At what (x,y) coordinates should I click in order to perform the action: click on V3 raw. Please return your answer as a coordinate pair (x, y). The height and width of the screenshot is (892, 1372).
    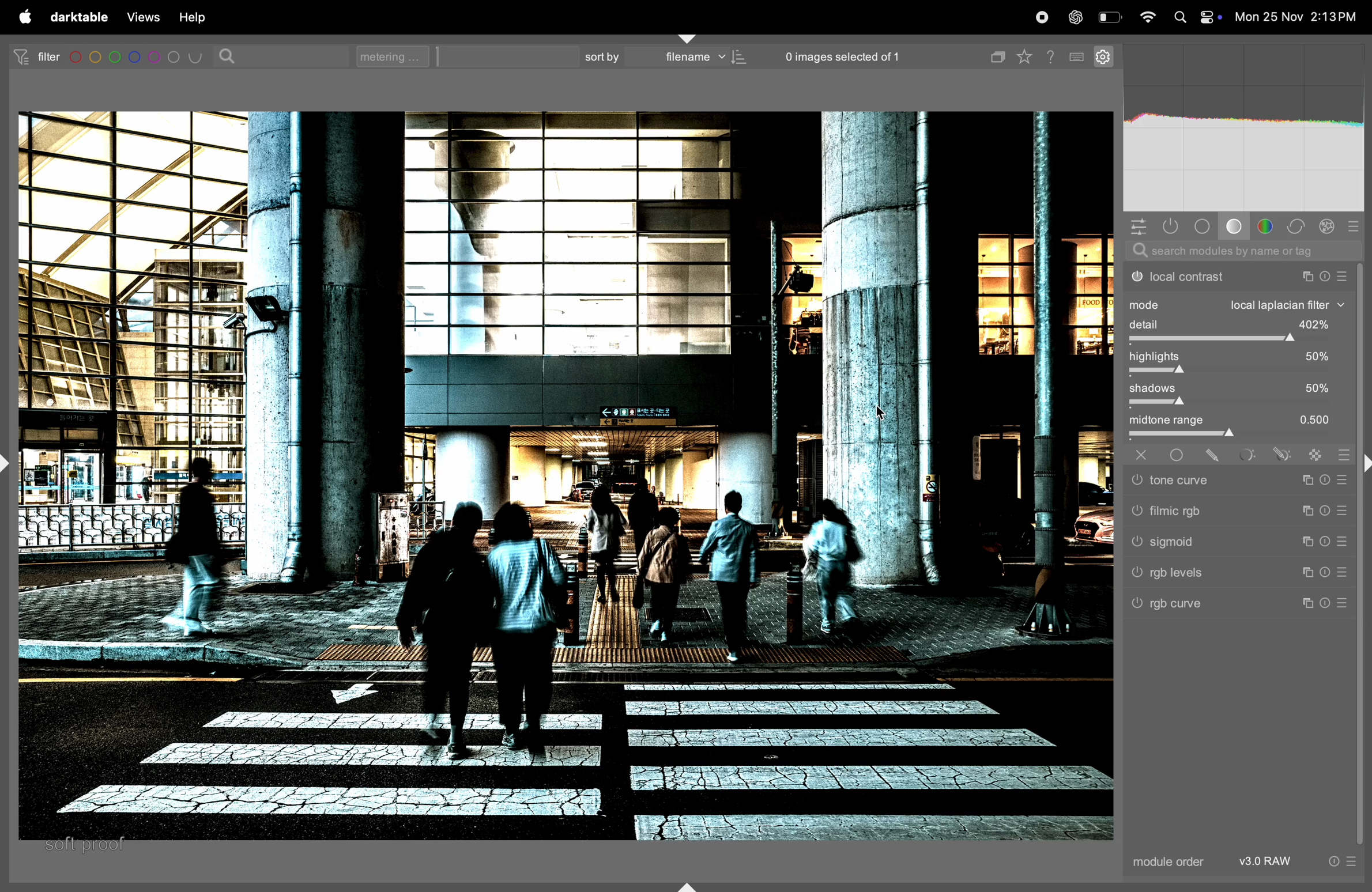
    Looking at the image, I should click on (1273, 861).